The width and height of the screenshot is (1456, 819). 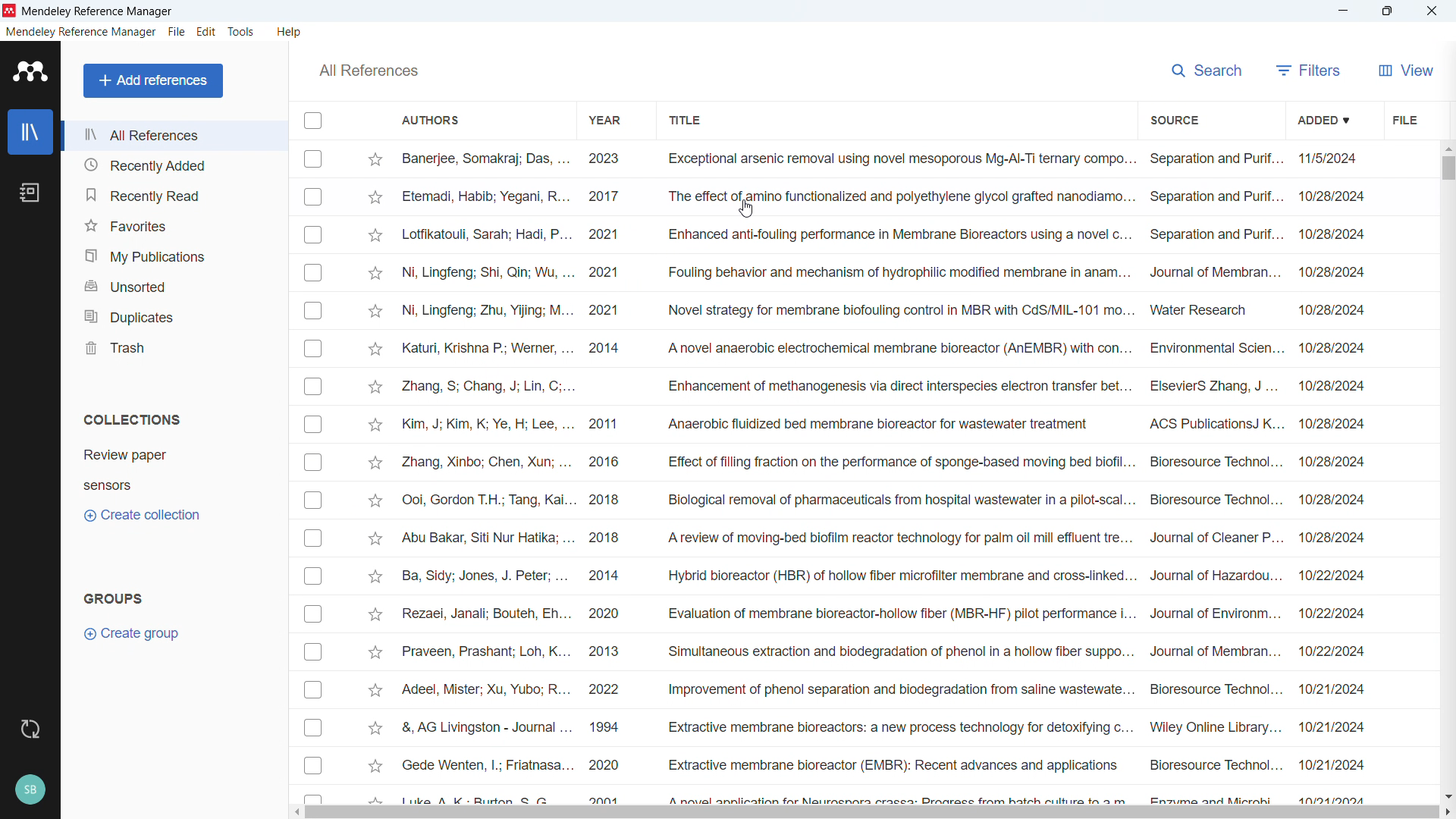 I want to click on Authors of individual entries , so click(x=485, y=475).